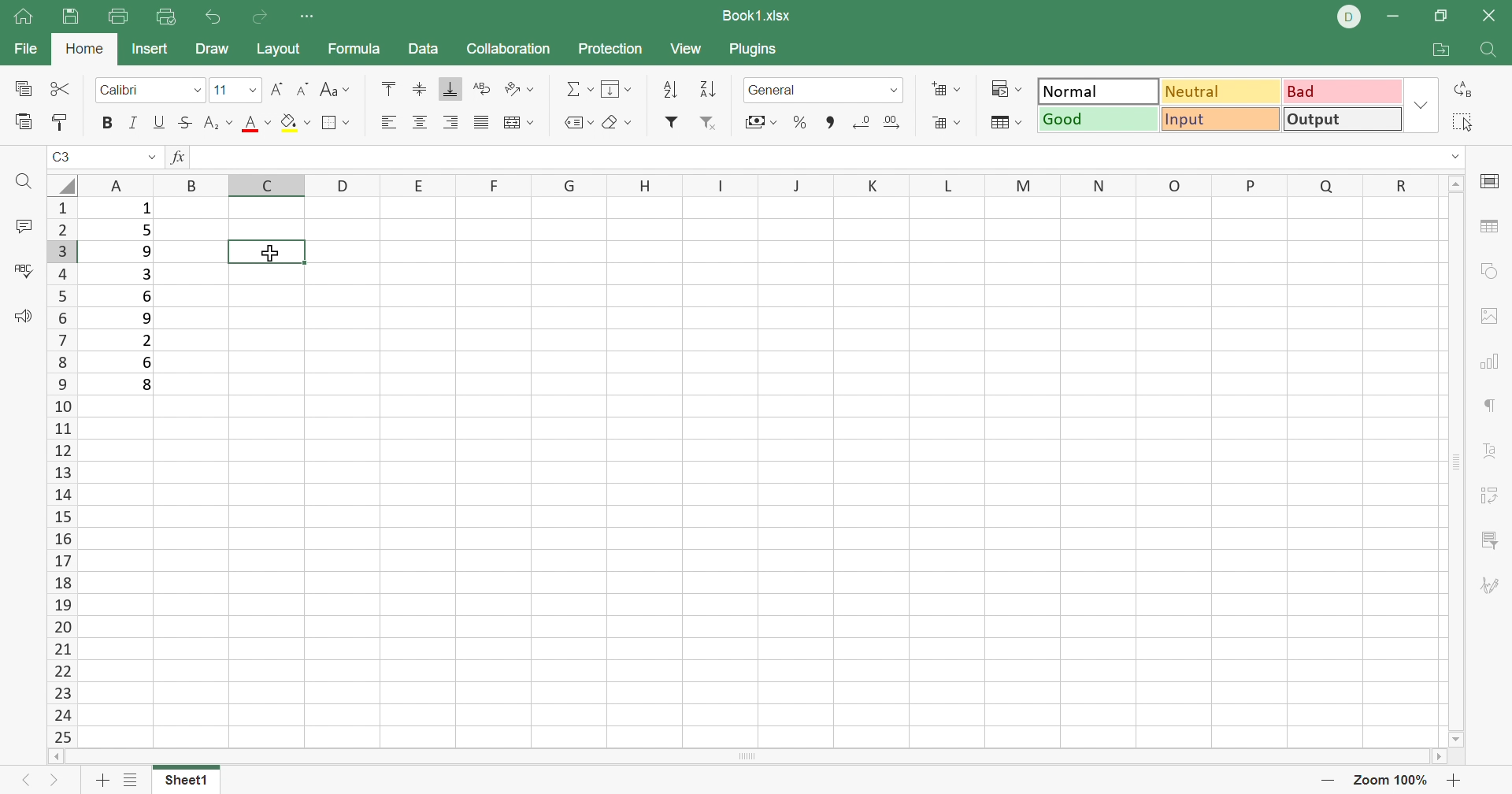 The width and height of the screenshot is (1512, 794). Describe the element at coordinates (272, 254) in the screenshot. I see `Cursor` at that location.